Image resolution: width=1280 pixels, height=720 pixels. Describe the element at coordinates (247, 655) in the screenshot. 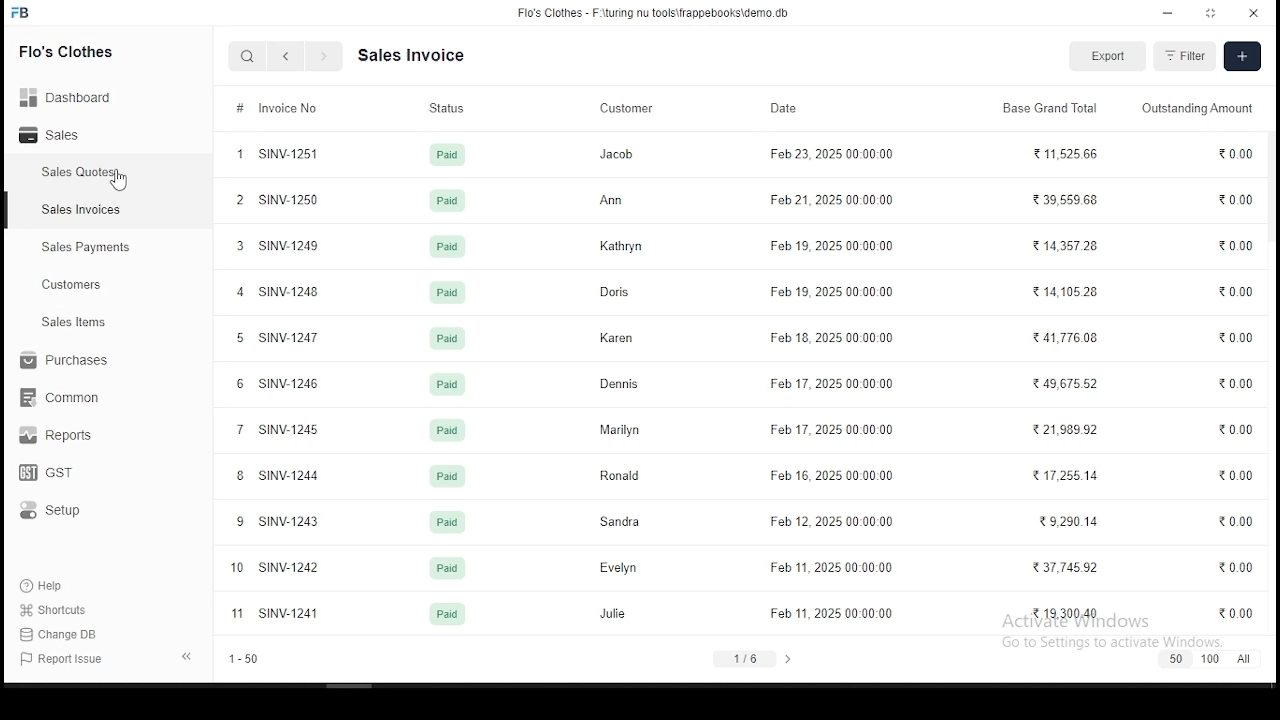

I see `1-50` at that location.